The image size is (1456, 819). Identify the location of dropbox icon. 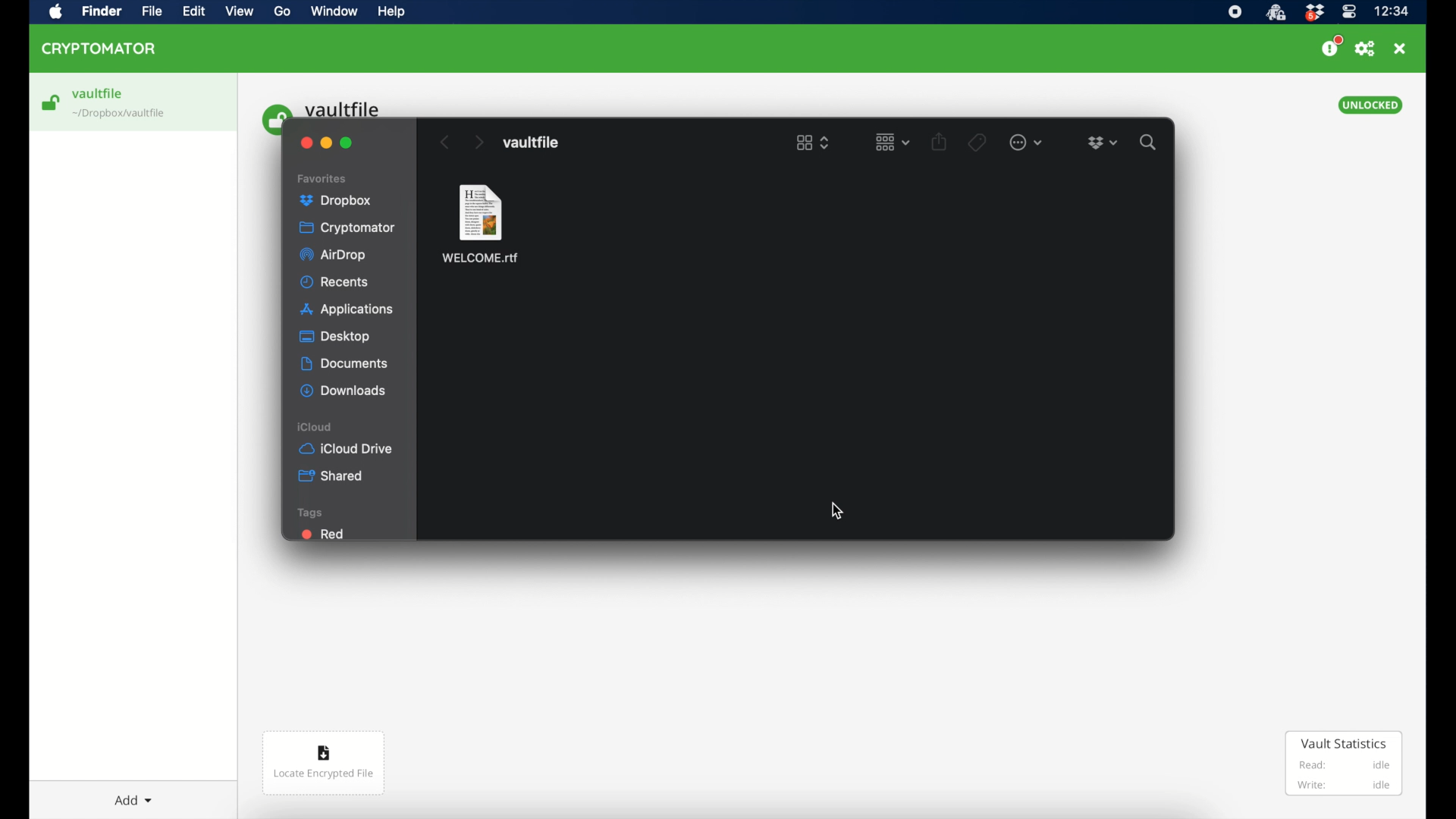
(1102, 142).